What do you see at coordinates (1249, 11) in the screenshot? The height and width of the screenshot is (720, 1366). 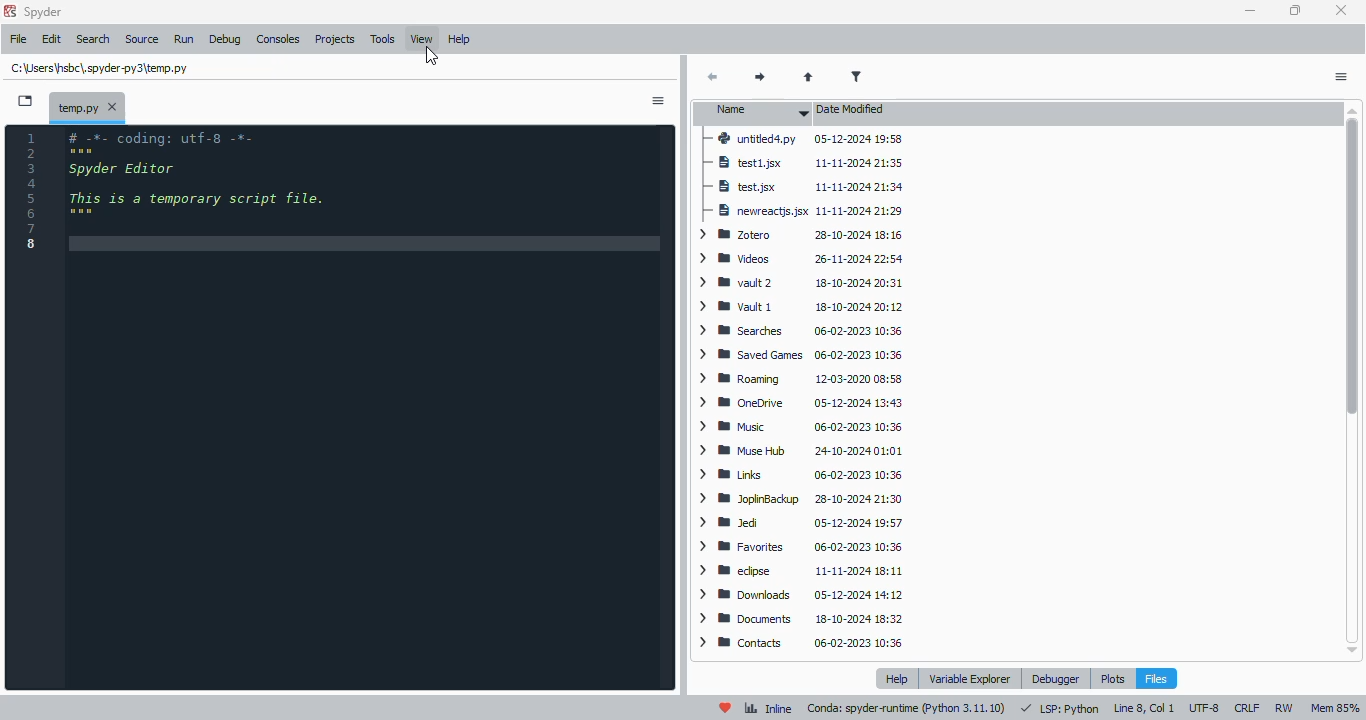 I see `minimize` at bounding box center [1249, 11].